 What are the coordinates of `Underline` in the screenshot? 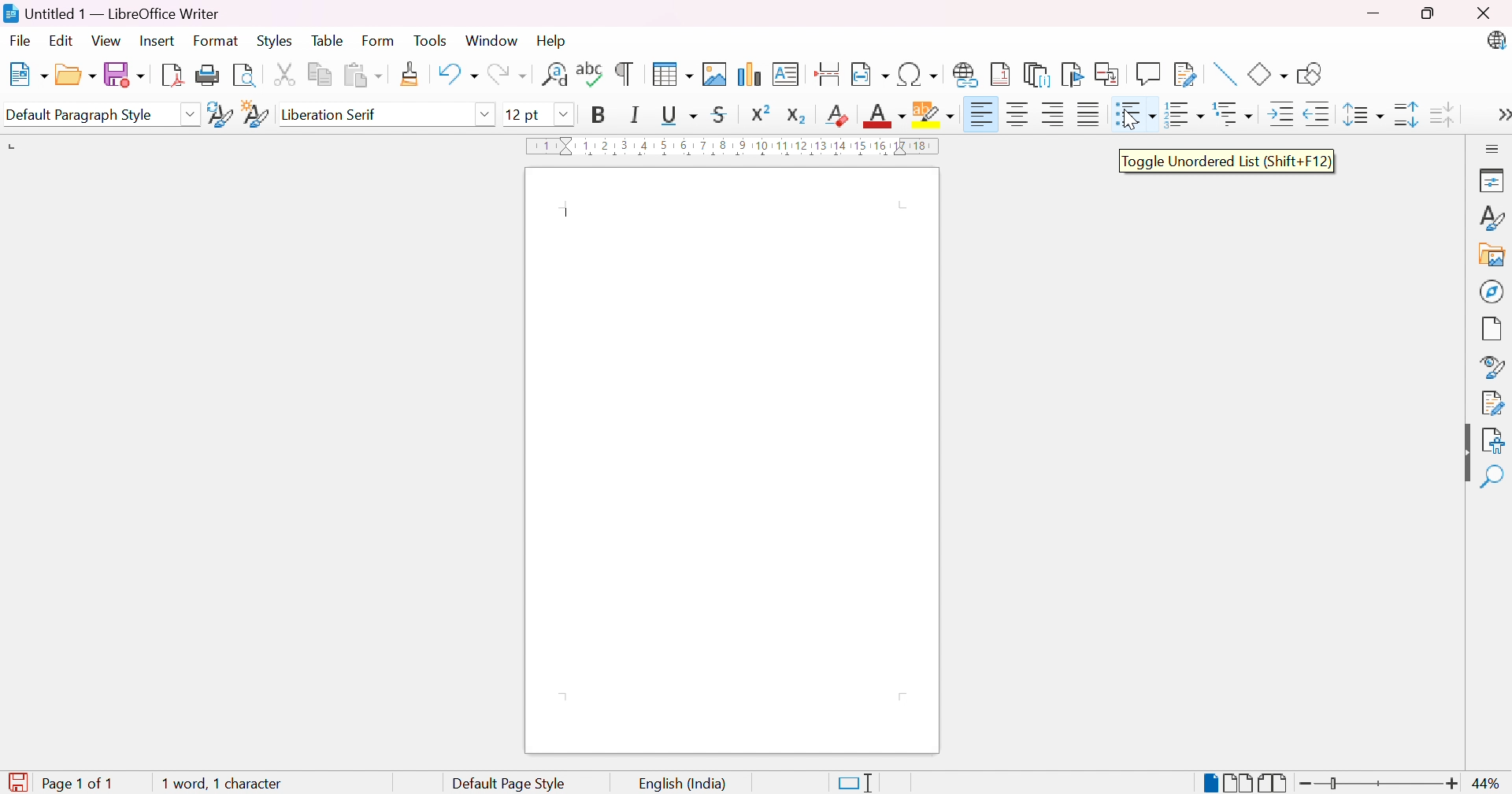 It's located at (680, 114).